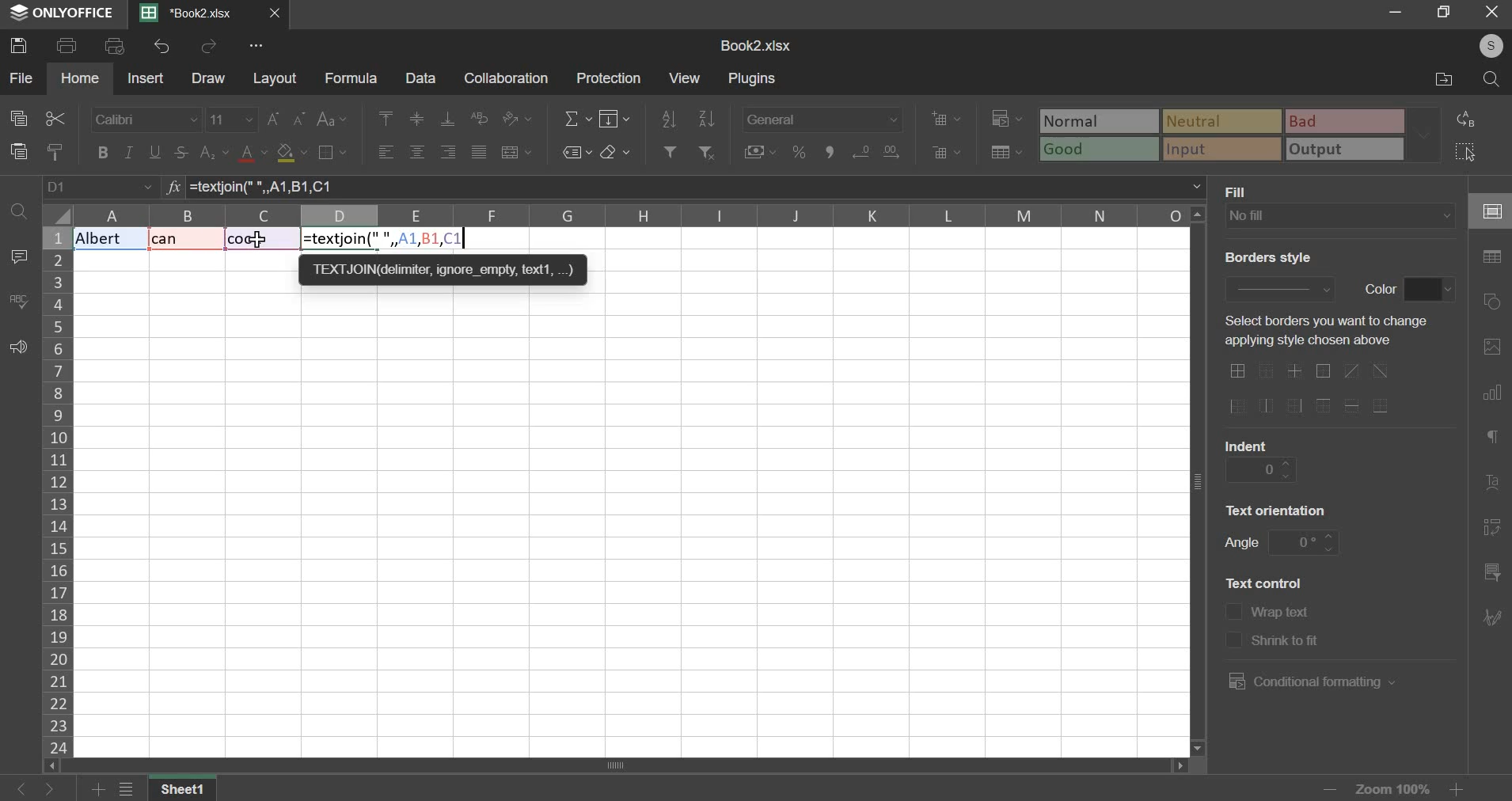  Describe the element at coordinates (135, 790) in the screenshot. I see `view all sheets` at that location.